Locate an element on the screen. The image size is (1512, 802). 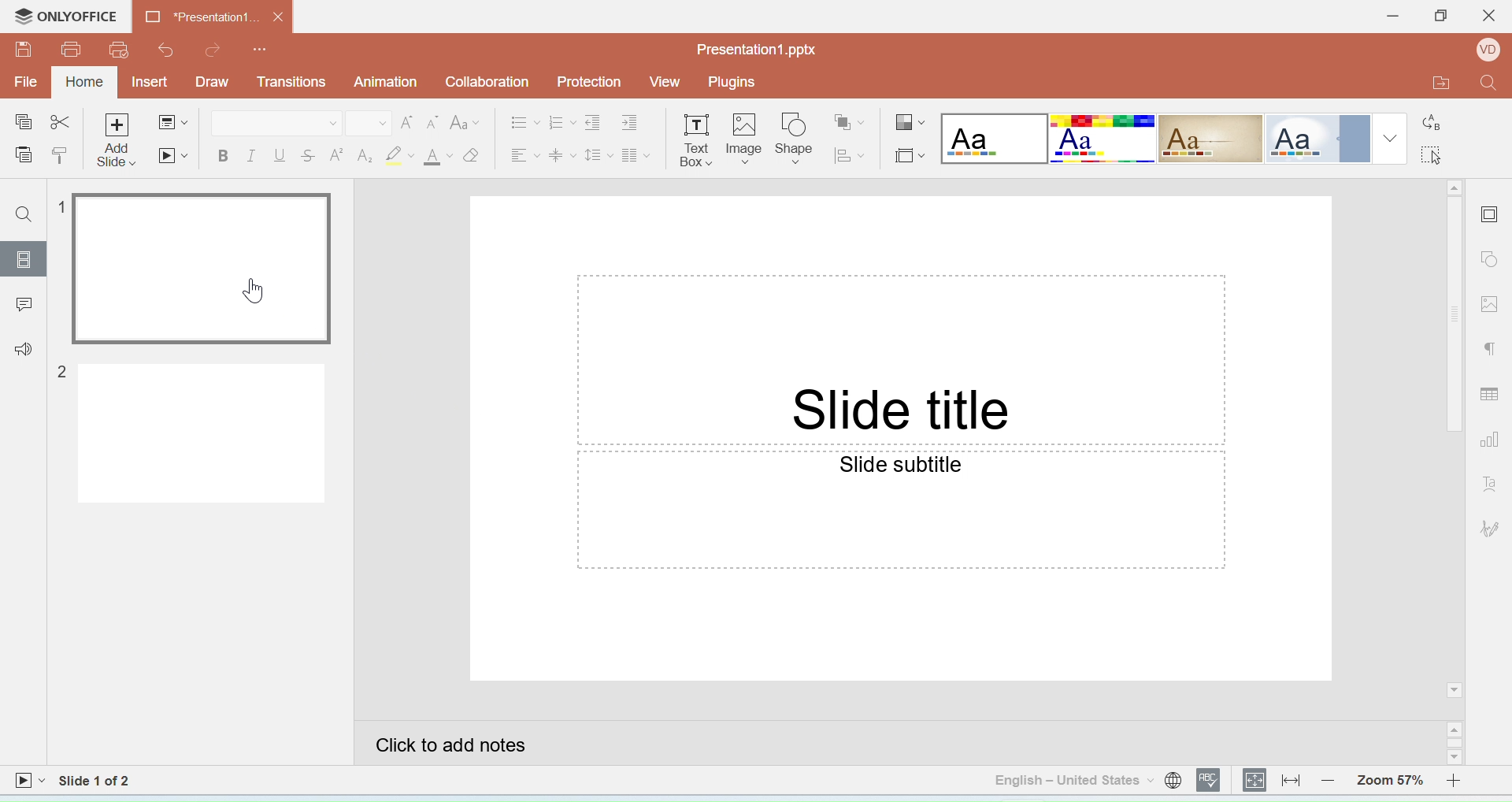
Line spacing is located at coordinates (599, 152).